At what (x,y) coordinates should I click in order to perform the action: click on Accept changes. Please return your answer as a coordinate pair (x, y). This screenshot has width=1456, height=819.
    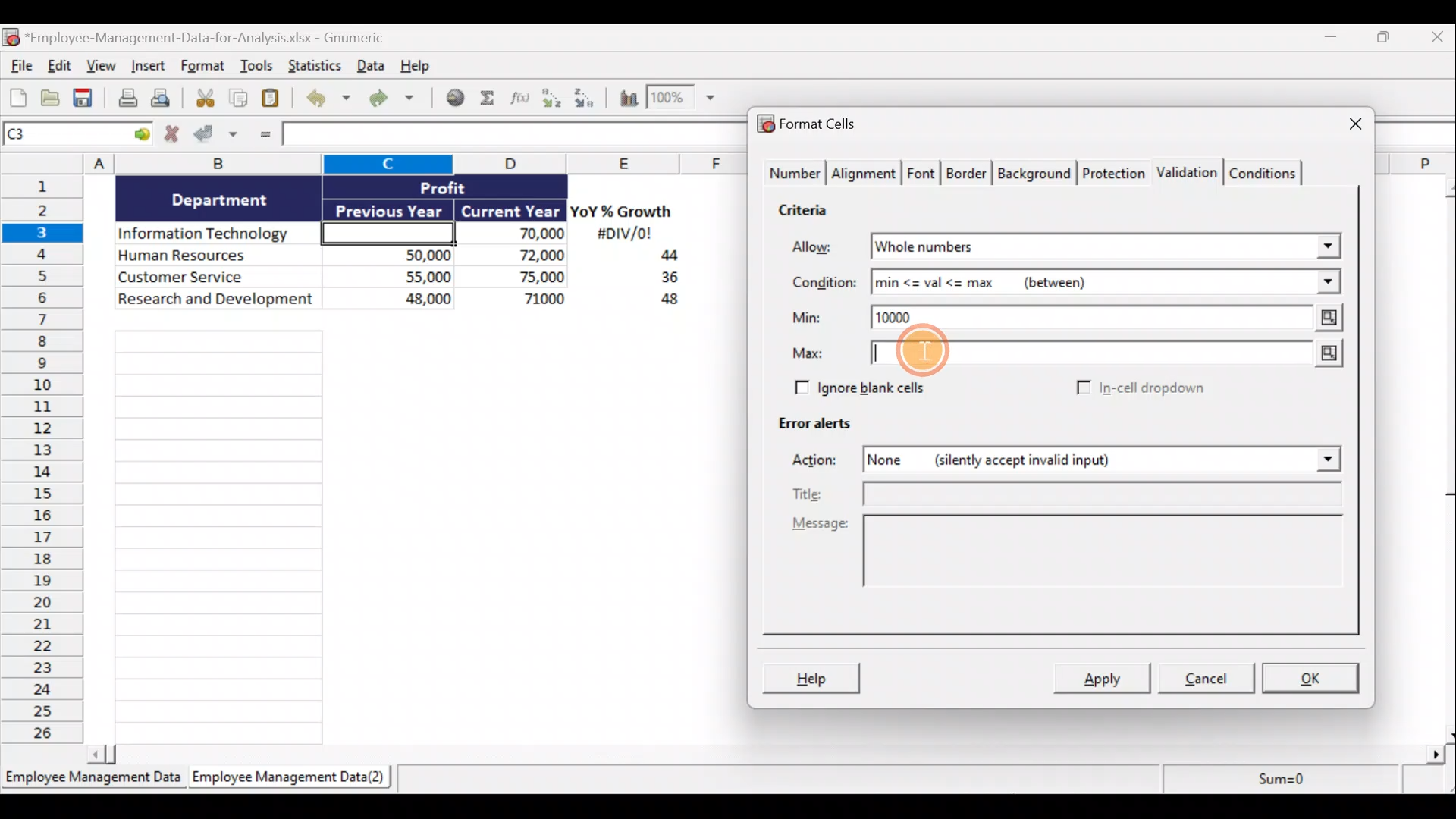
    Looking at the image, I should click on (218, 136).